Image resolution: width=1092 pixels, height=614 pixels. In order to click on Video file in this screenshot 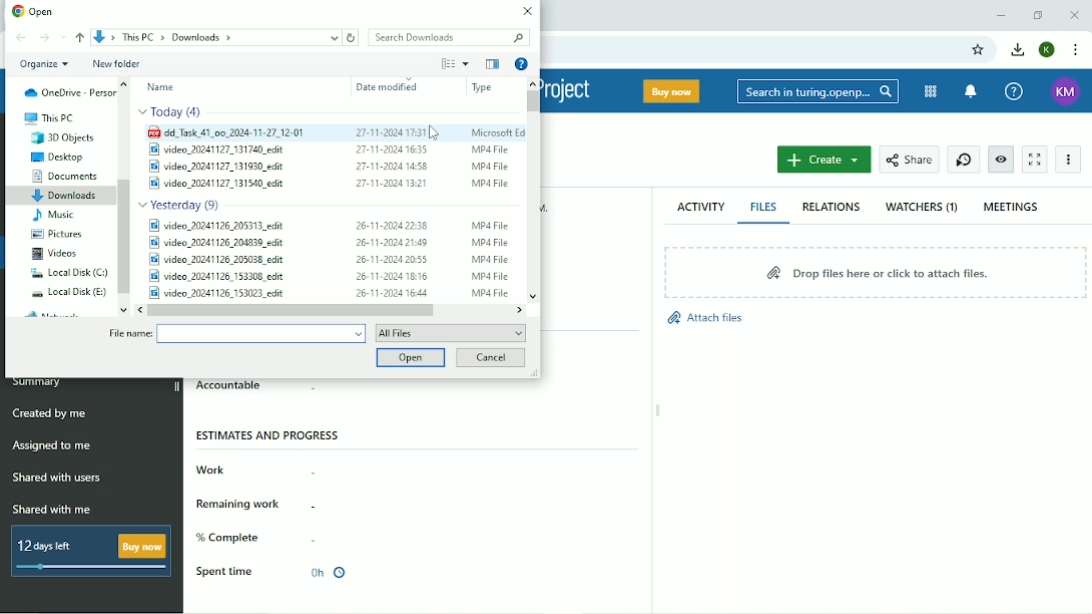, I will do `click(327, 292)`.